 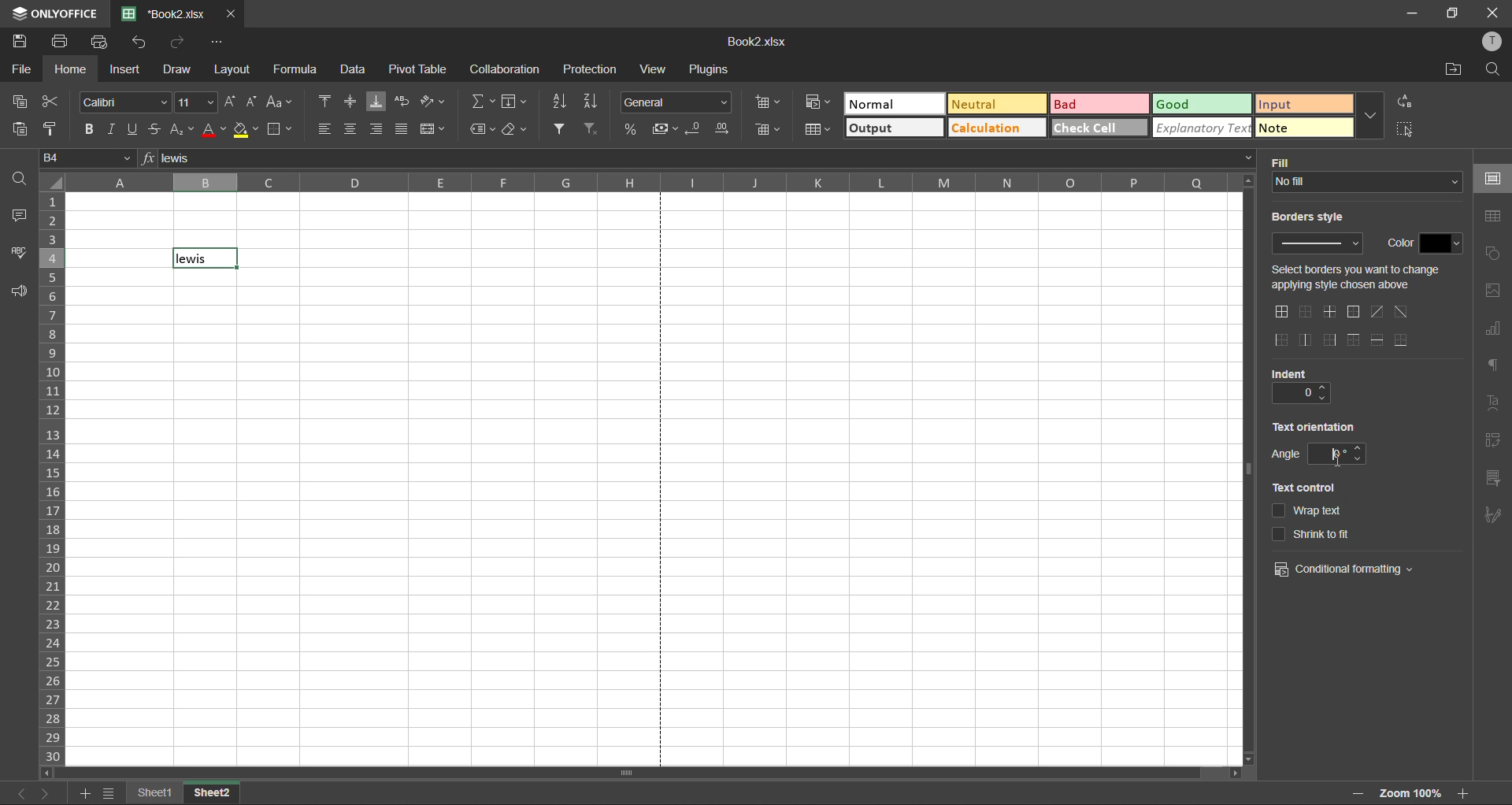 What do you see at coordinates (1304, 310) in the screenshot?
I see `no borders` at bounding box center [1304, 310].